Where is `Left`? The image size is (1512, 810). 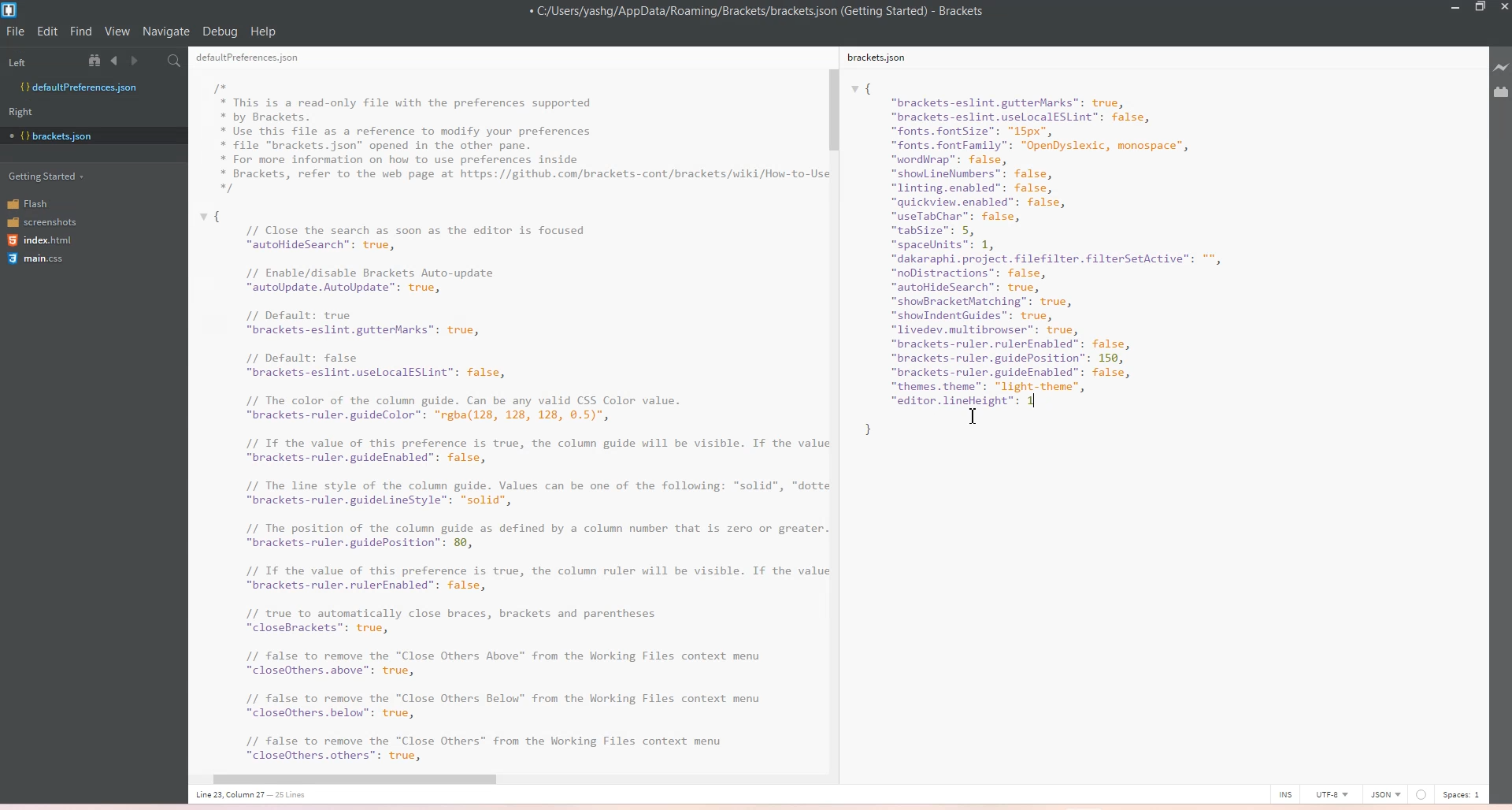
Left is located at coordinates (39, 60).